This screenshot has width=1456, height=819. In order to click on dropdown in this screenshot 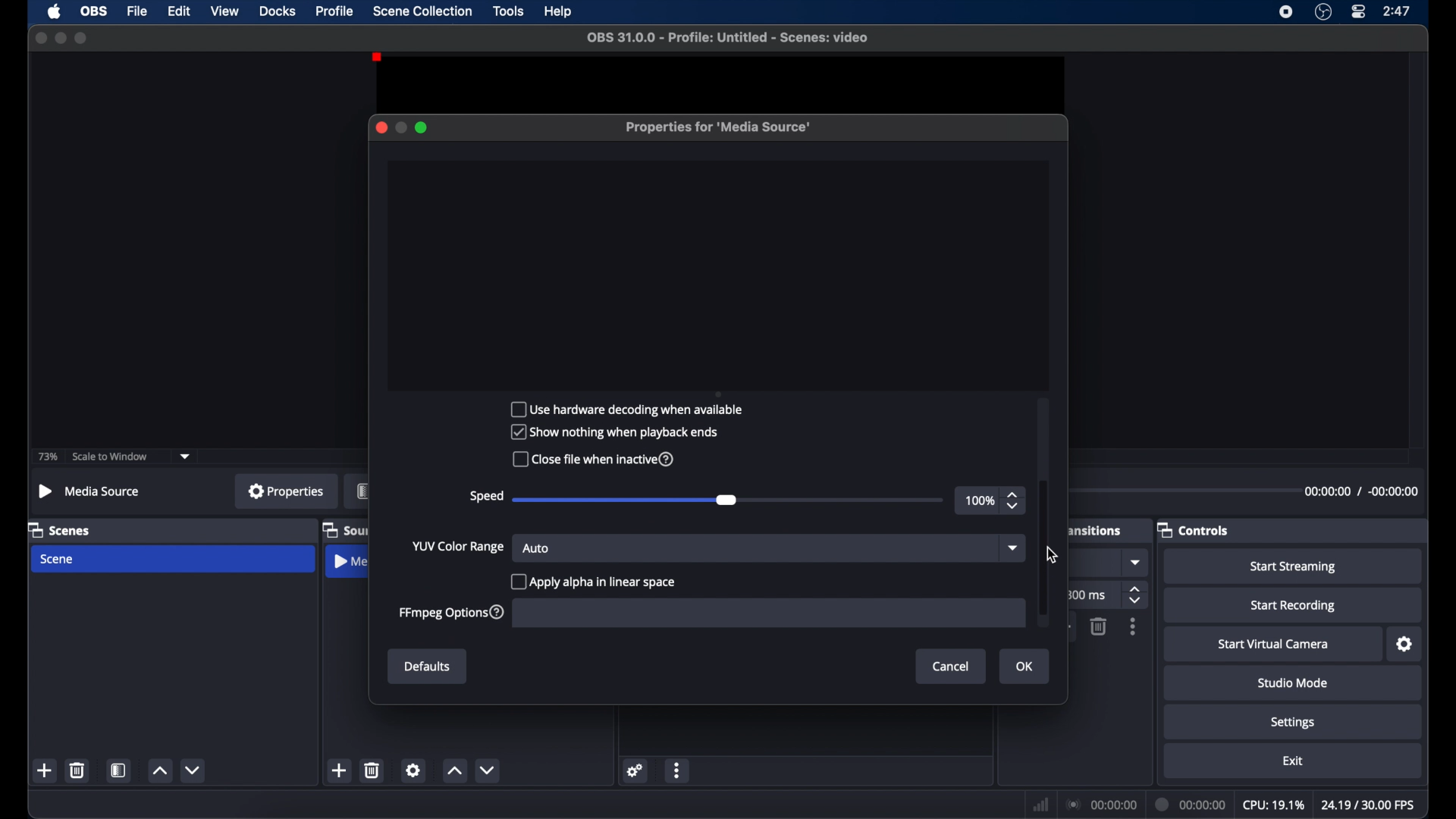, I will do `click(1013, 547)`.